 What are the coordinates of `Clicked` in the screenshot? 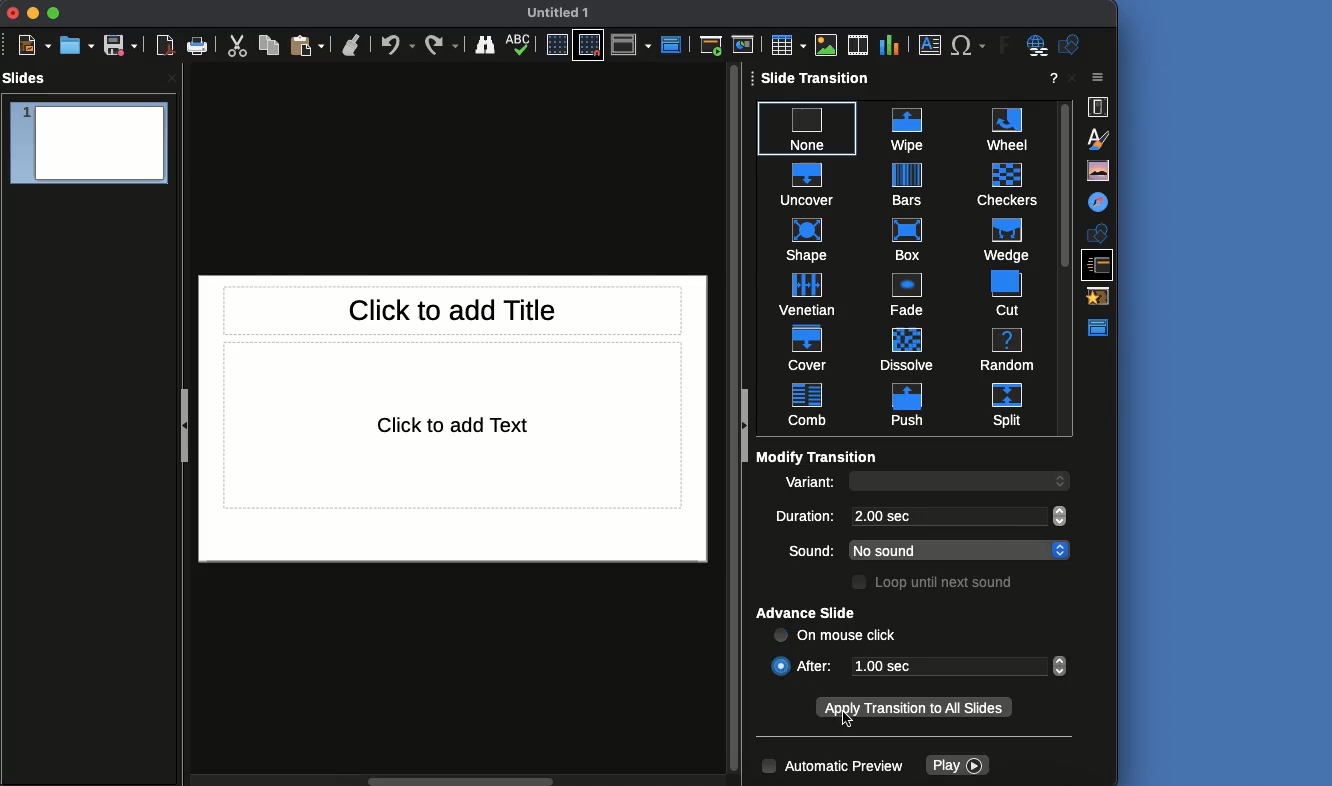 It's located at (780, 665).